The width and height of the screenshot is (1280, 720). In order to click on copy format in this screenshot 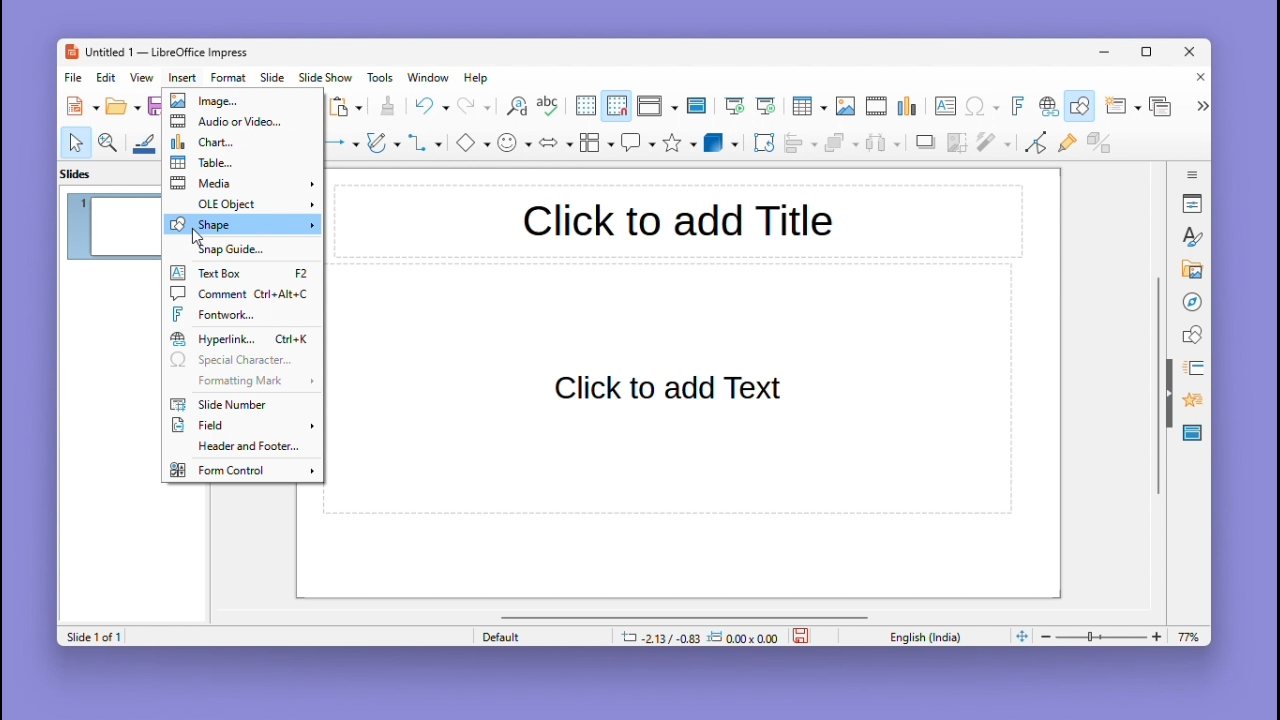, I will do `click(386, 108)`.